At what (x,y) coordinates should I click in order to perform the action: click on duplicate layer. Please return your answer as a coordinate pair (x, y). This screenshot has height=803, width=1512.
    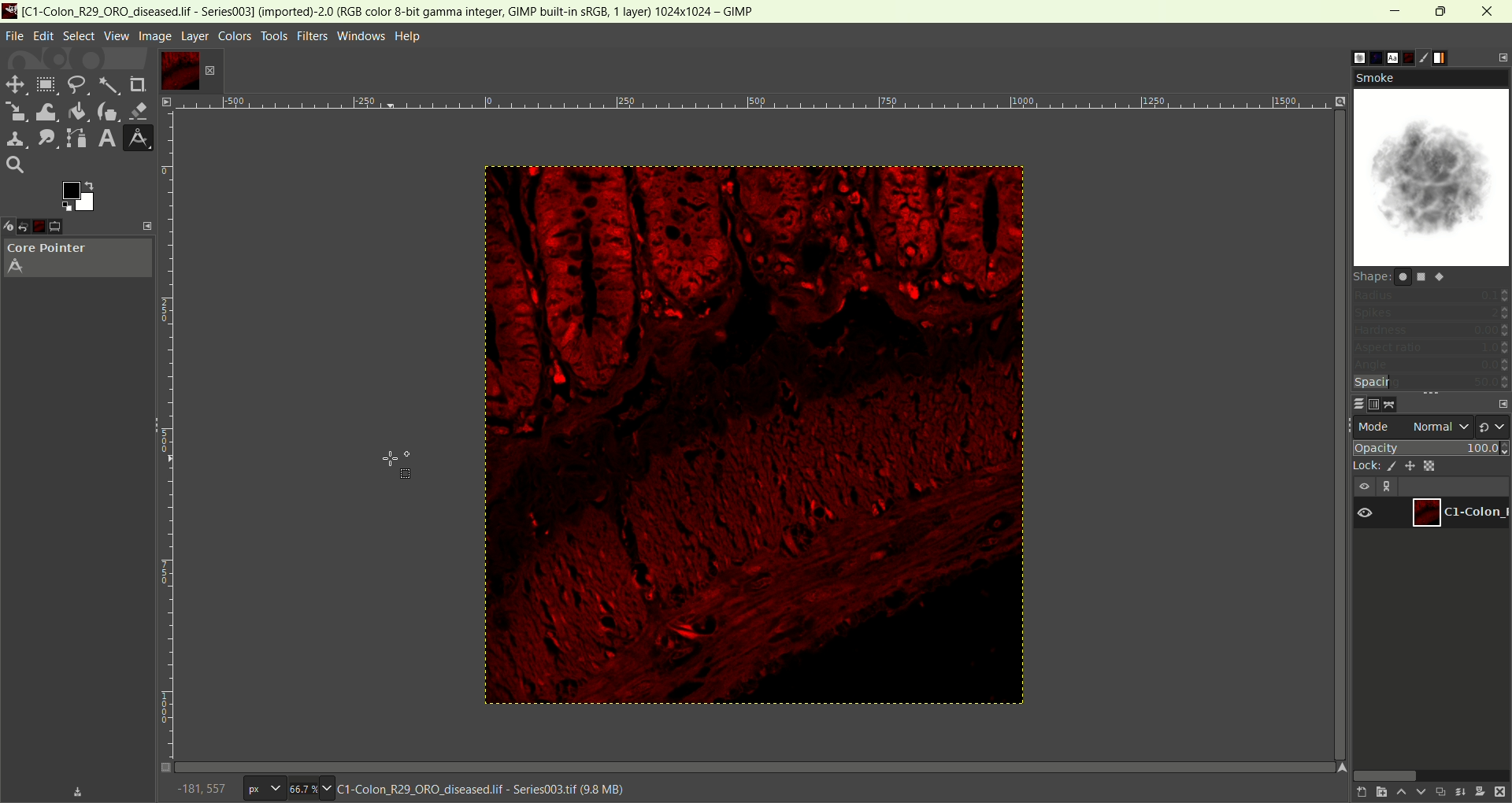
    Looking at the image, I should click on (1440, 791).